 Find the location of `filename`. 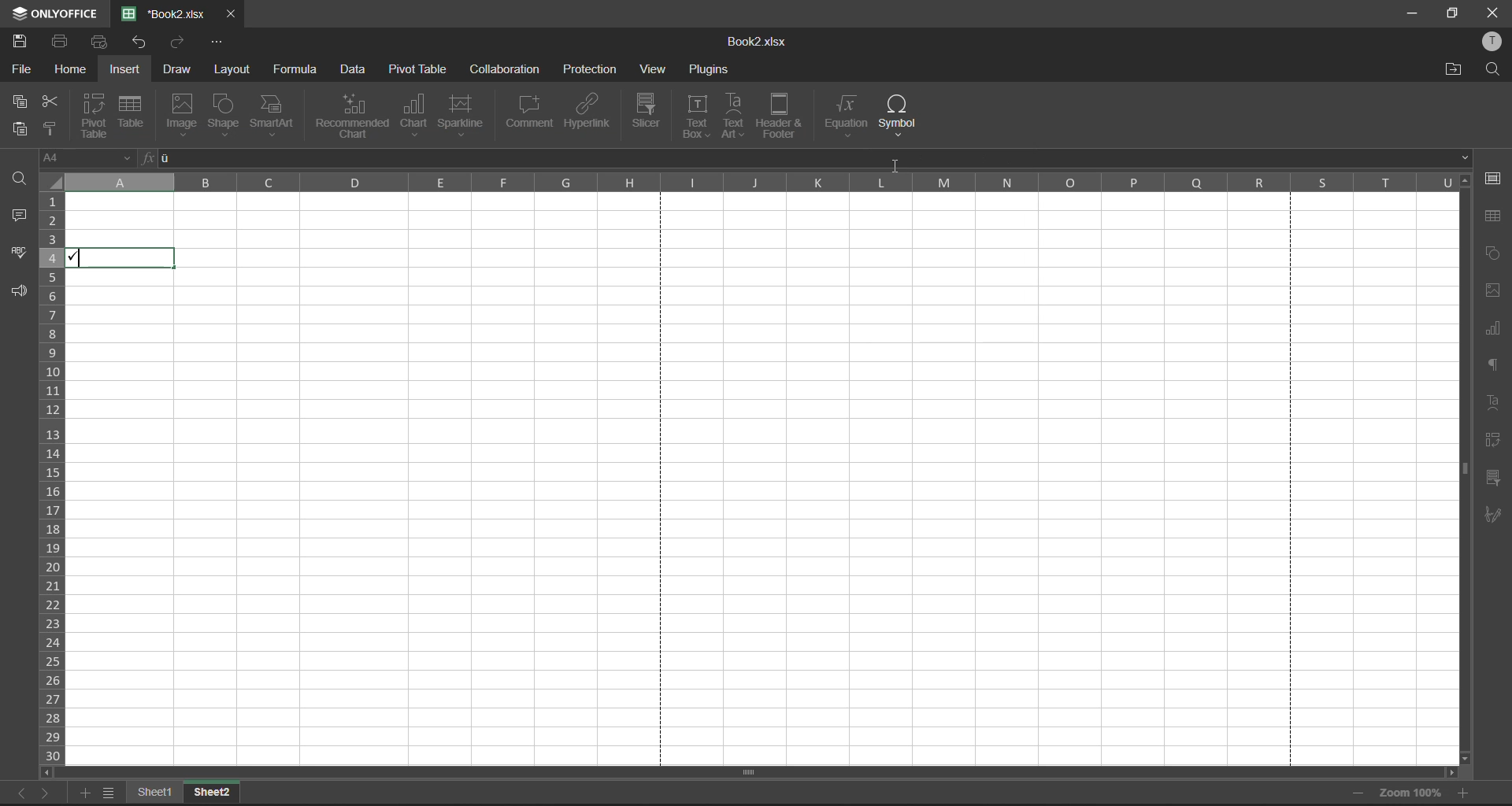

filename is located at coordinates (165, 13).